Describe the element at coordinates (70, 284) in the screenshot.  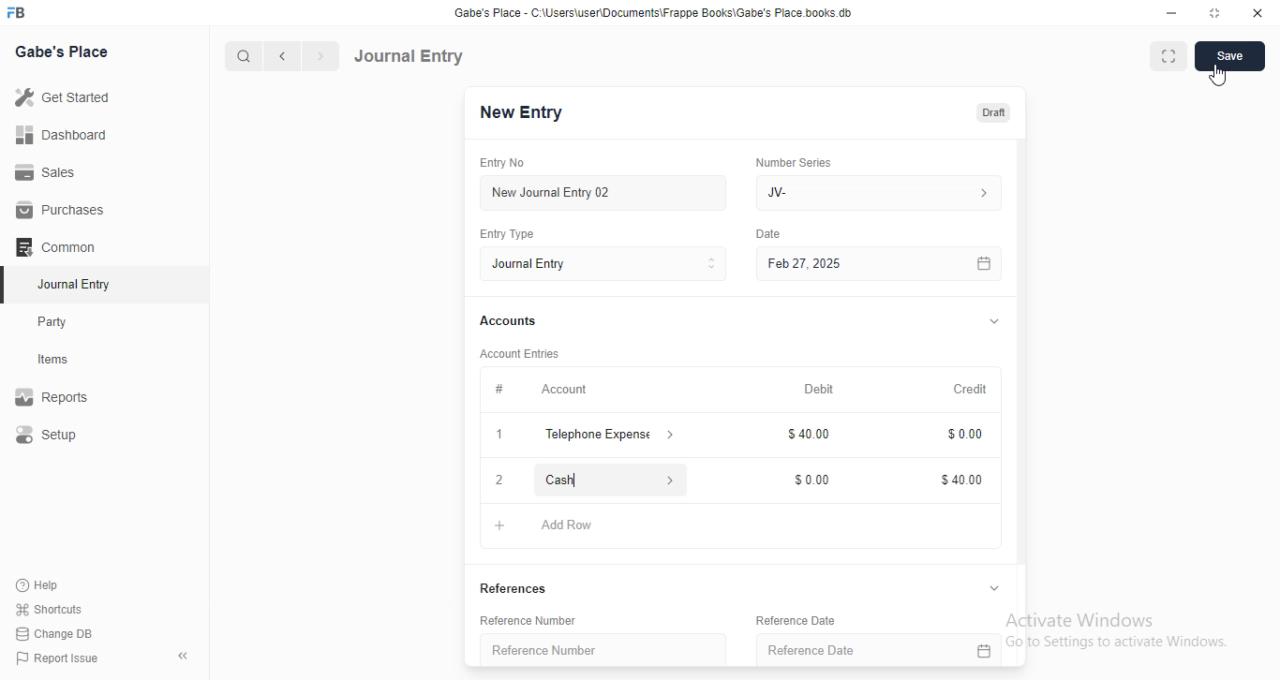
I see `Journal Entry` at that location.